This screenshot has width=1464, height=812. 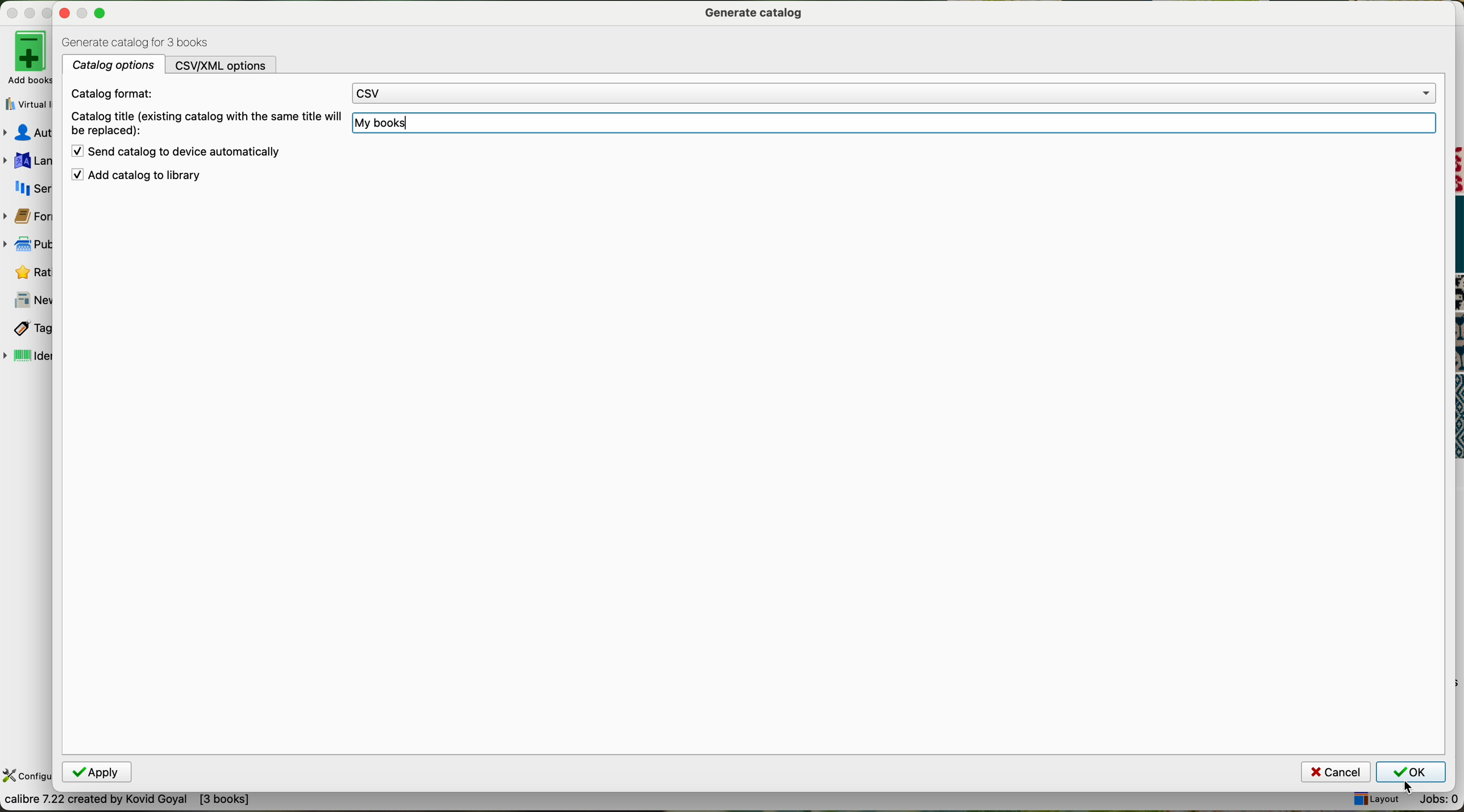 I want to click on add books, so click(x=24, y=59).